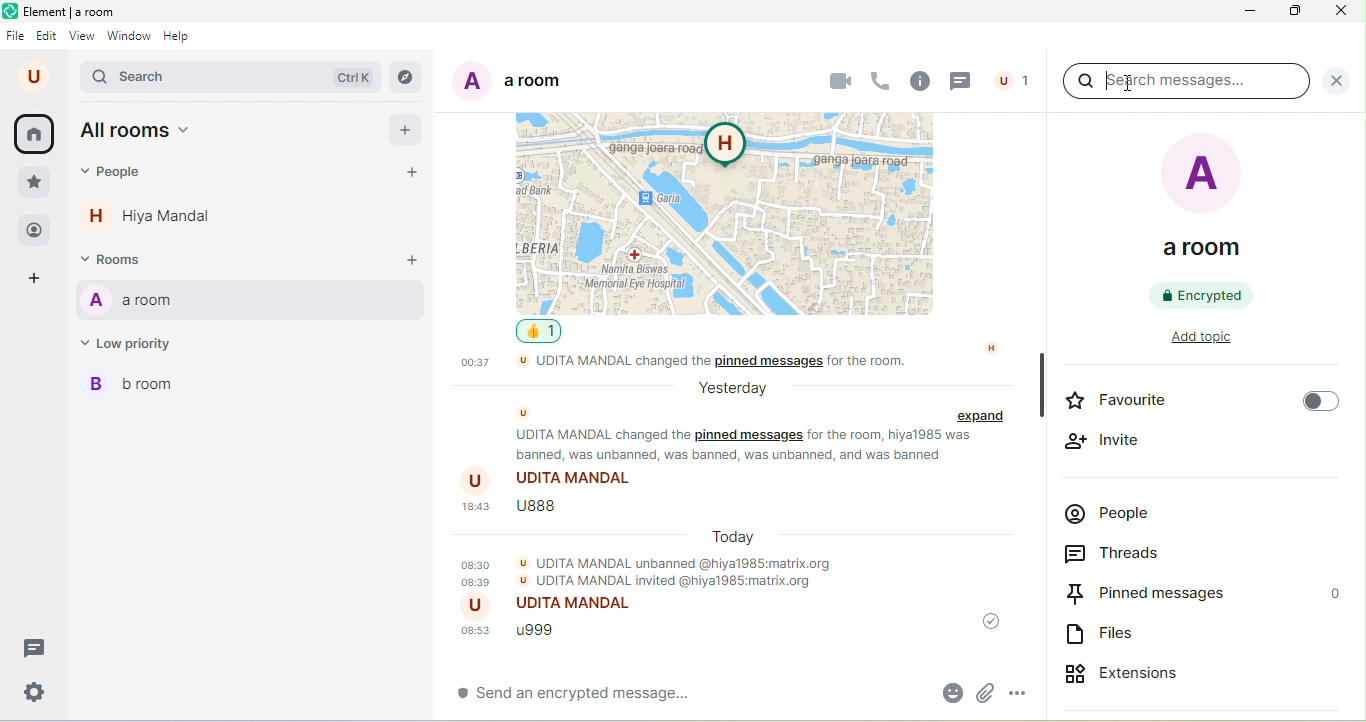 This screenshot has width=1366, height=722. I want to click on people, so click(117, 176).